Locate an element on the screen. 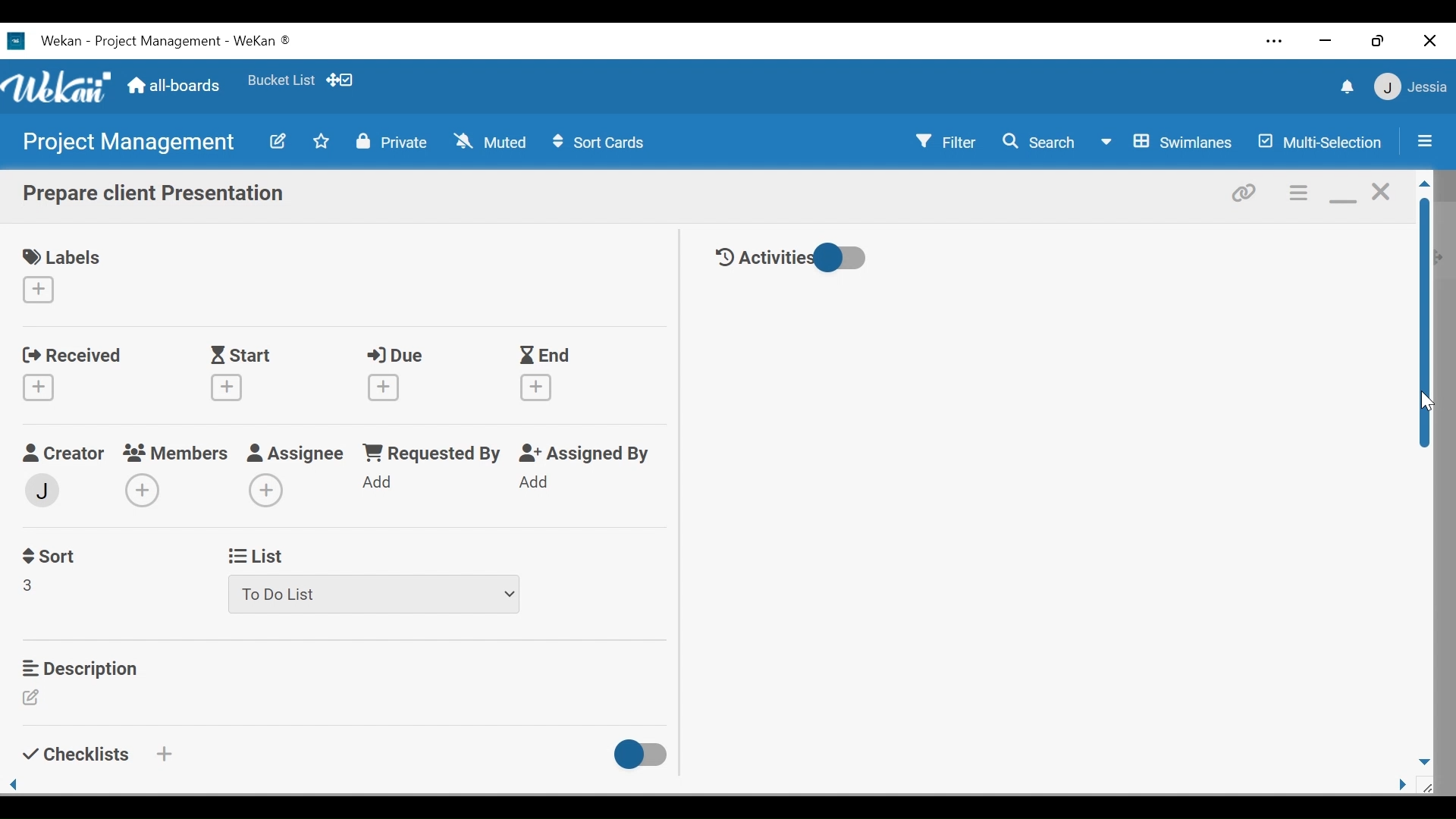 This screenshot has width=1456, height=819. Edit is located at coordinates (30, 700).